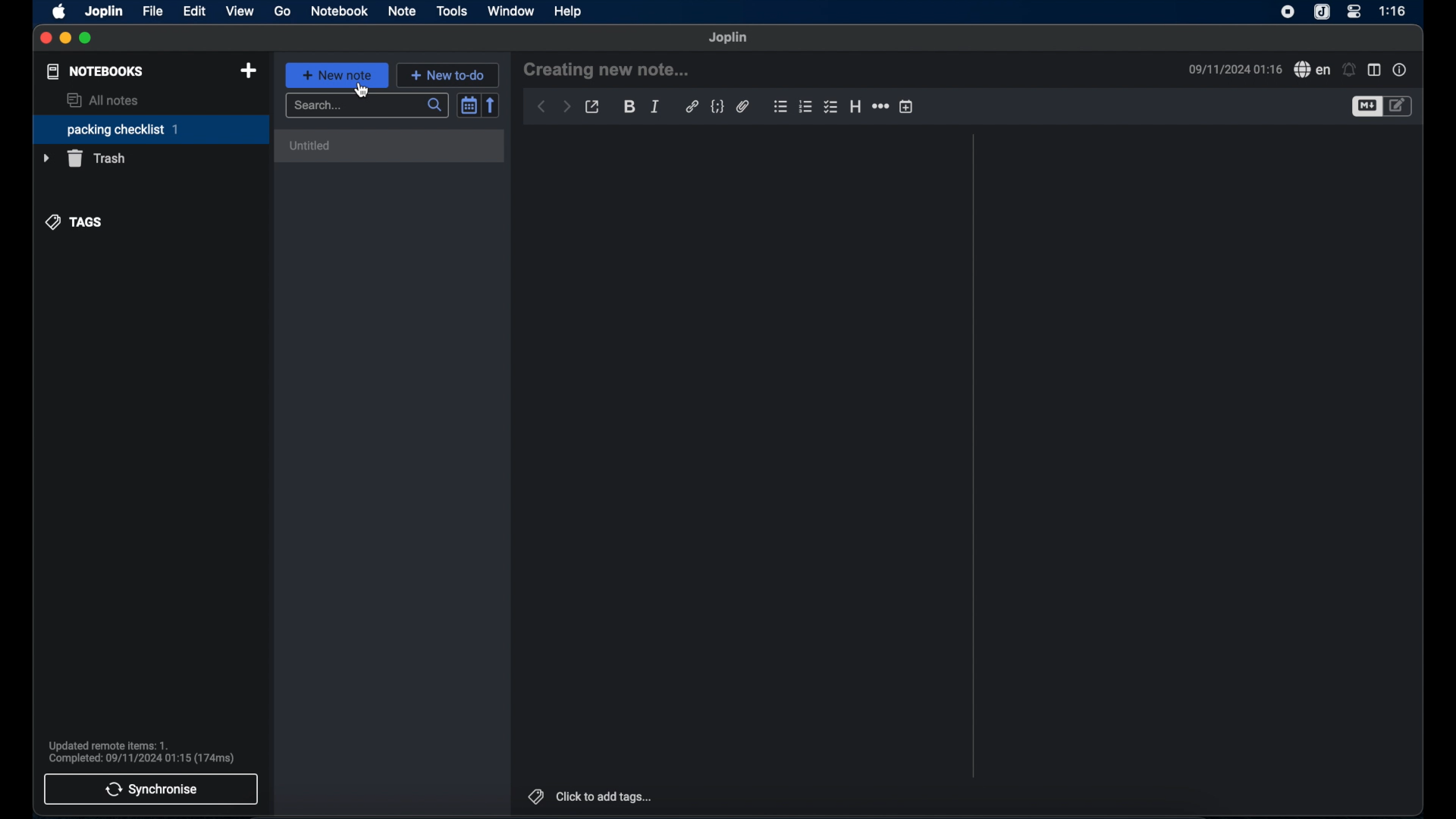 The height and width of the screenshot is (819, 1456). I want to click on new to do, so click(448, 74).